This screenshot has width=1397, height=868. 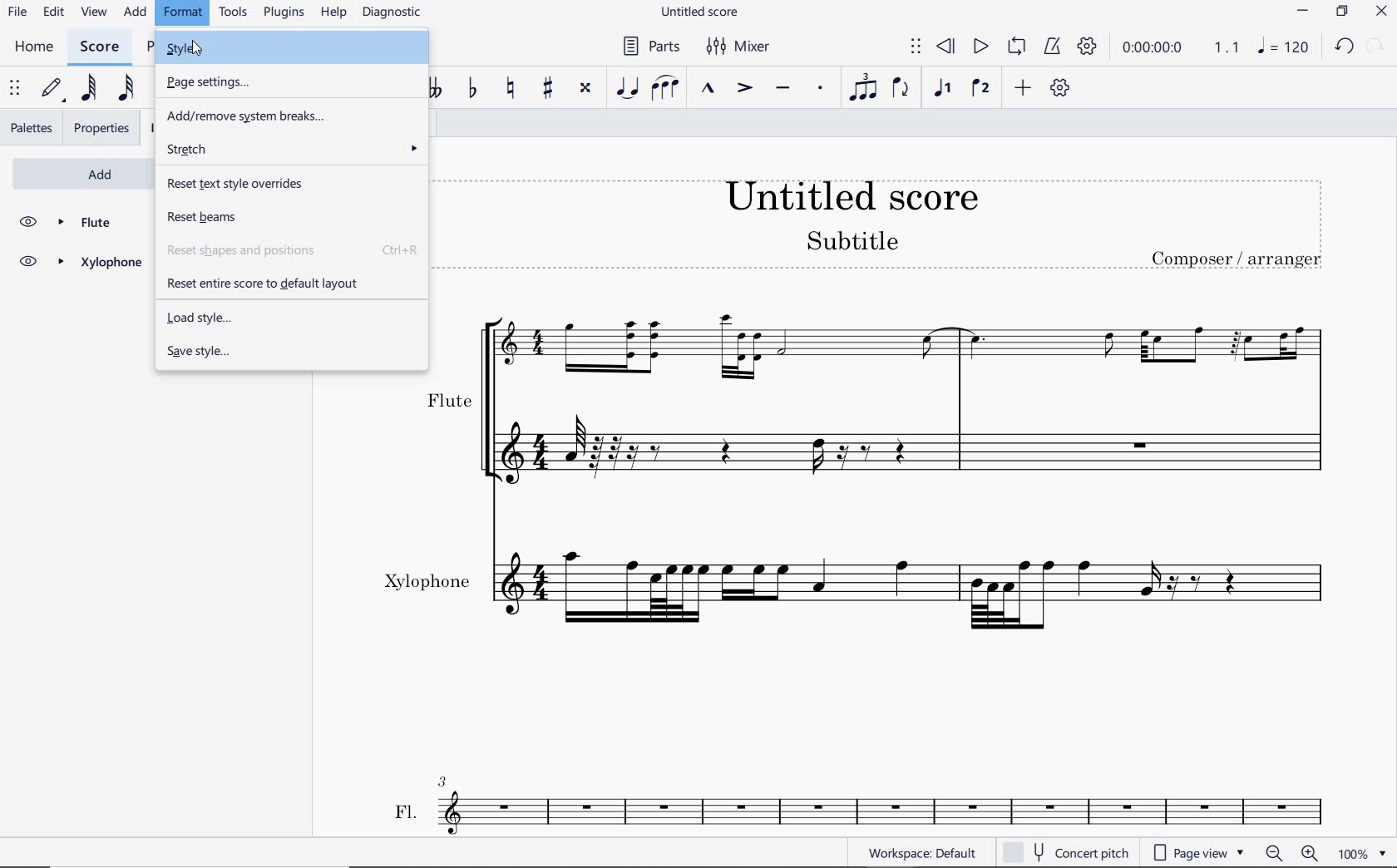 What do you see at coordinates (947, 47) in the screenshot?
I see `REWIND` at bounding box center [947, 47].